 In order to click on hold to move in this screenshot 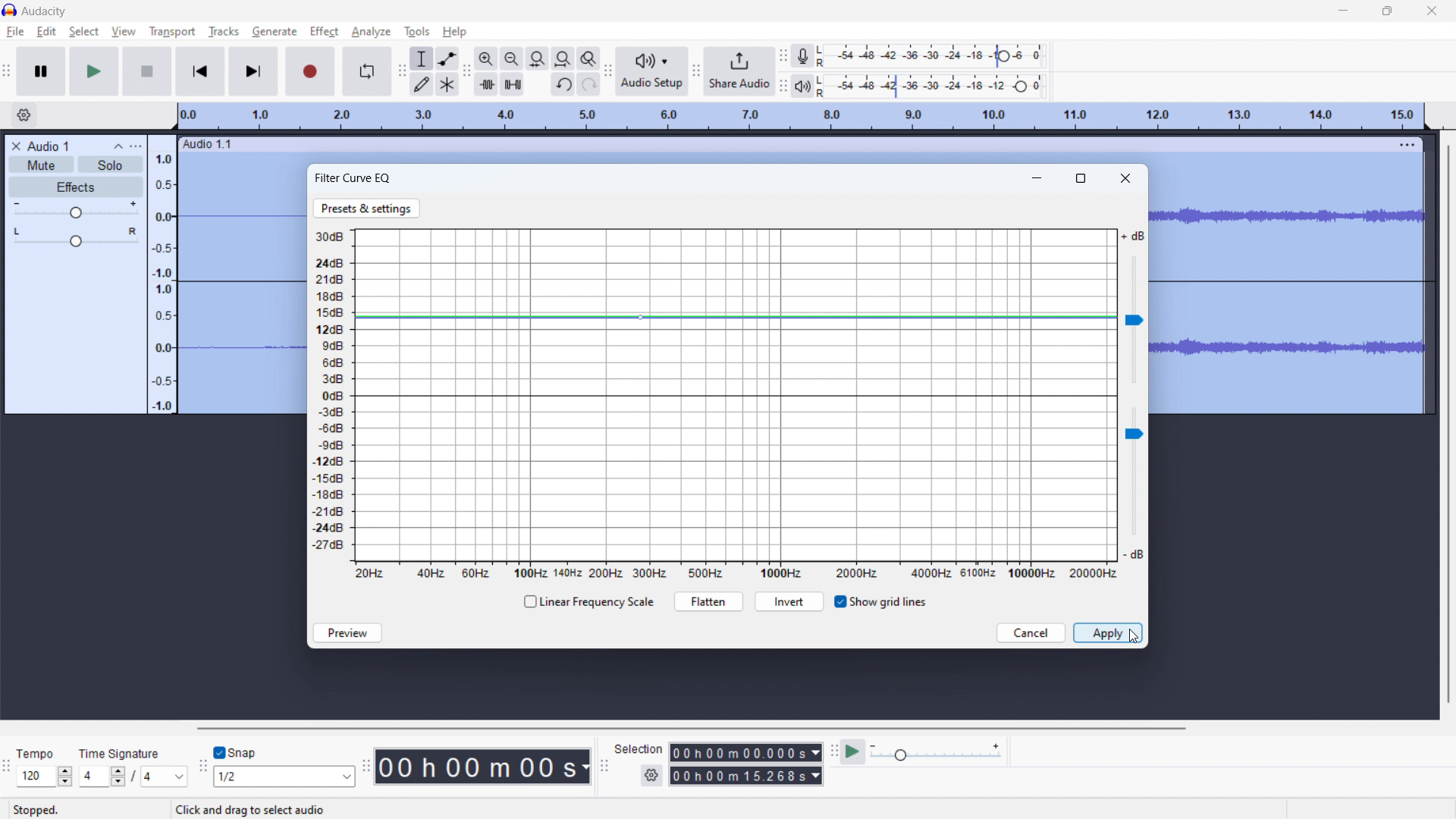, I will do `click(785, 145)`.